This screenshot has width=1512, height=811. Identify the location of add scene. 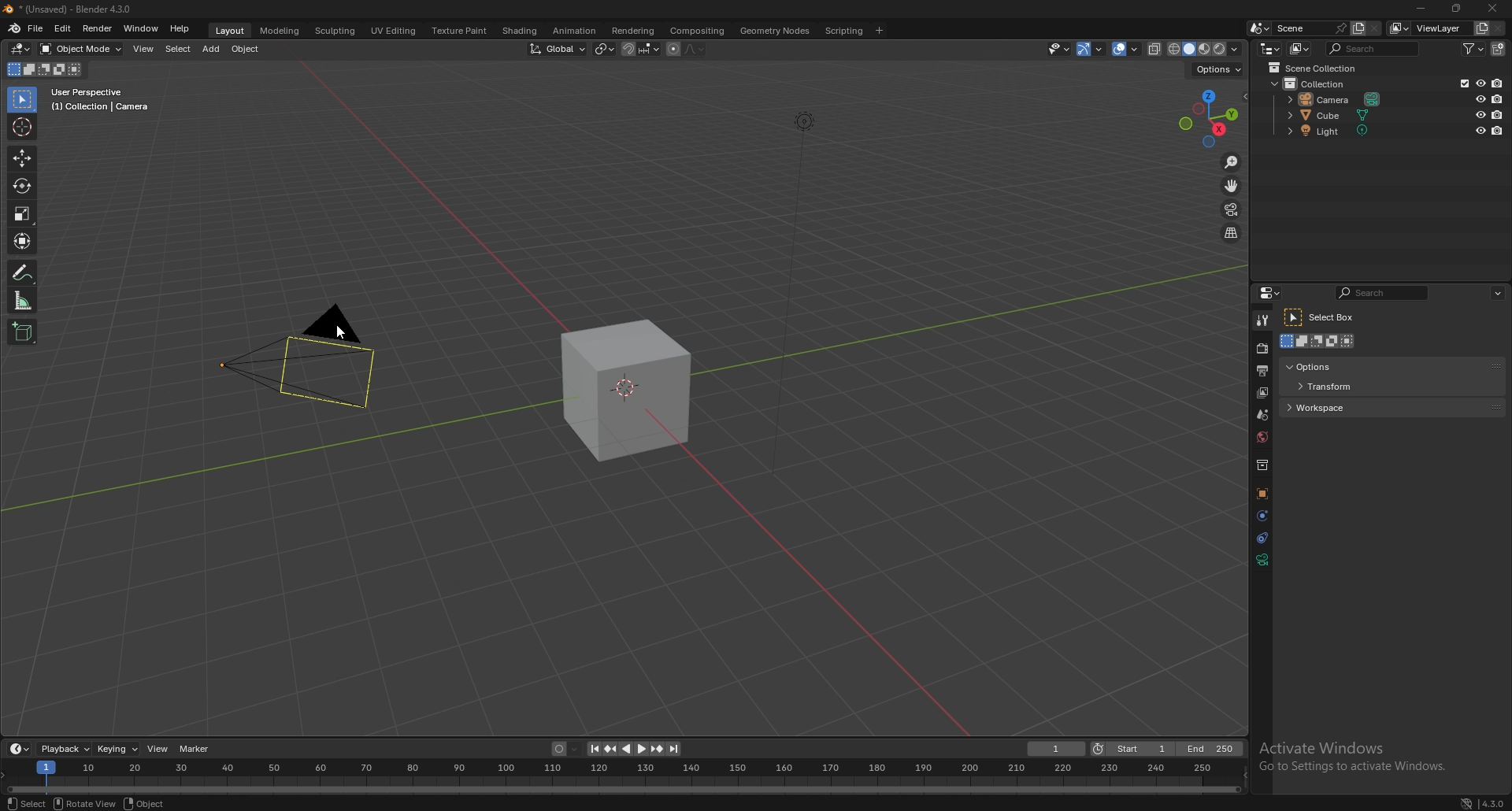
(1357, 29).